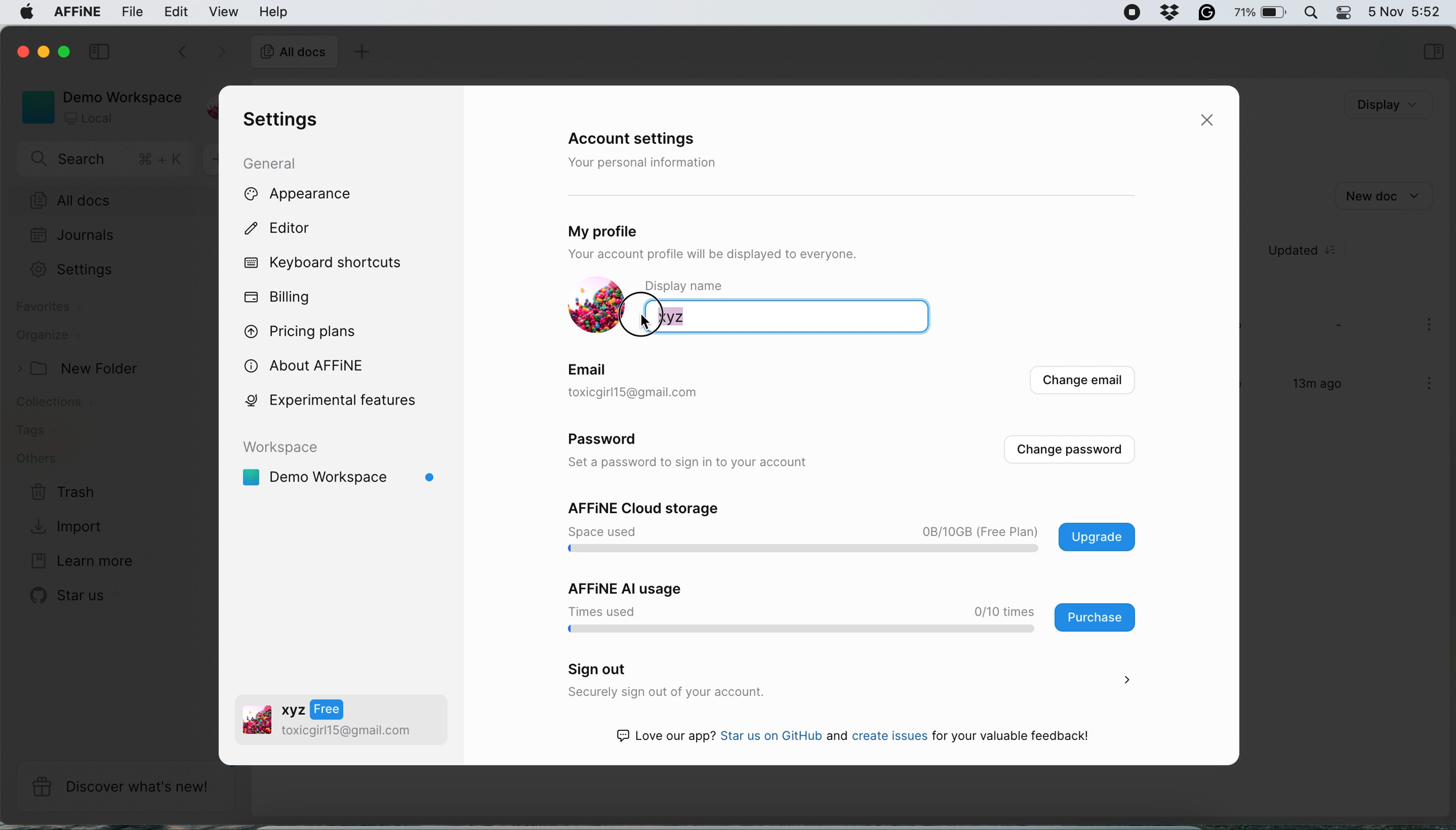 Image resolution: width=1456 pixels, height=830 pixels. I want to click on your personal information, so click(646, 162).